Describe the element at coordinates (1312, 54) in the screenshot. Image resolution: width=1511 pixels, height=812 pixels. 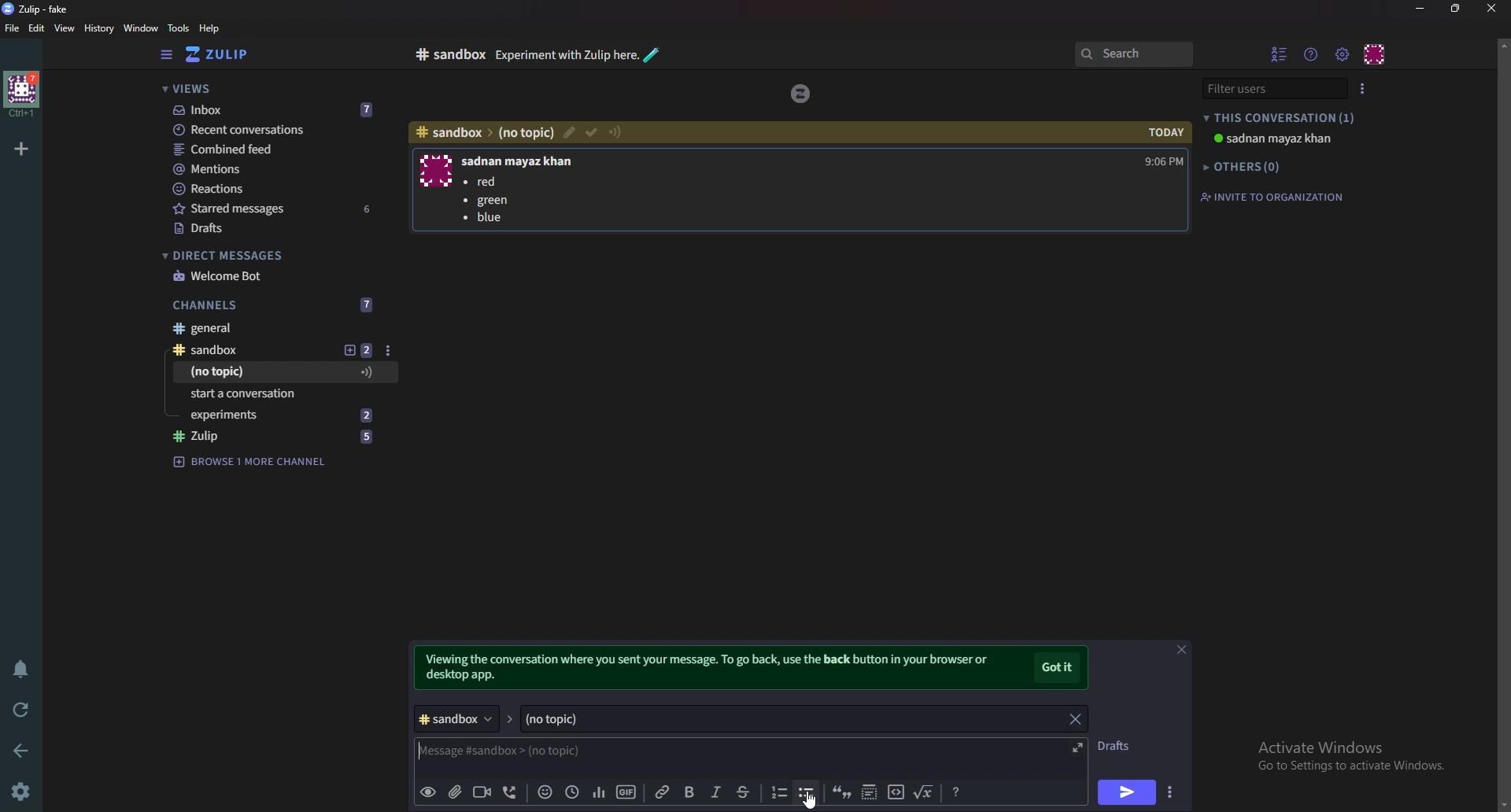
I see `Help menu` at that location.